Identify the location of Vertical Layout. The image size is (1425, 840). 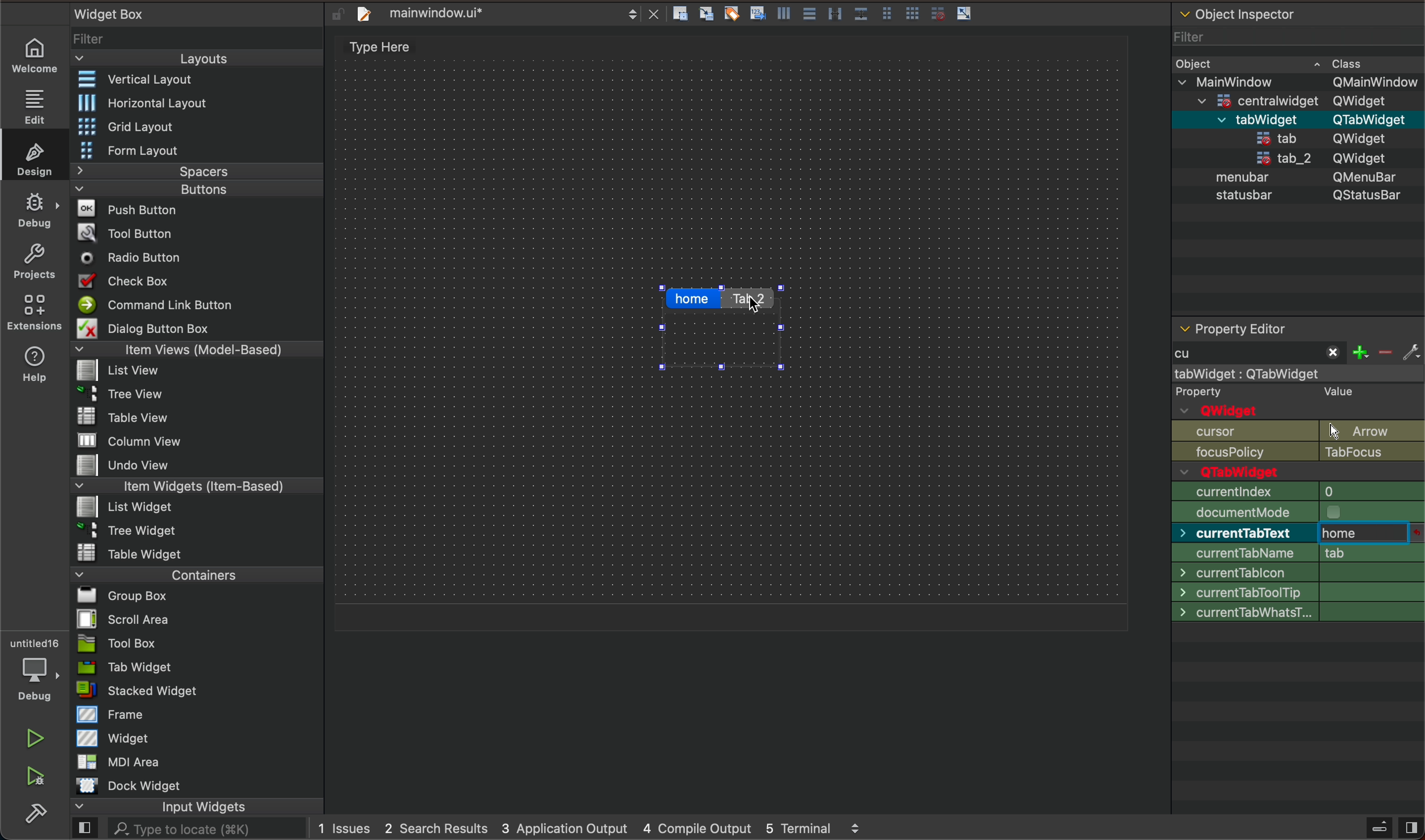
(132, 78).